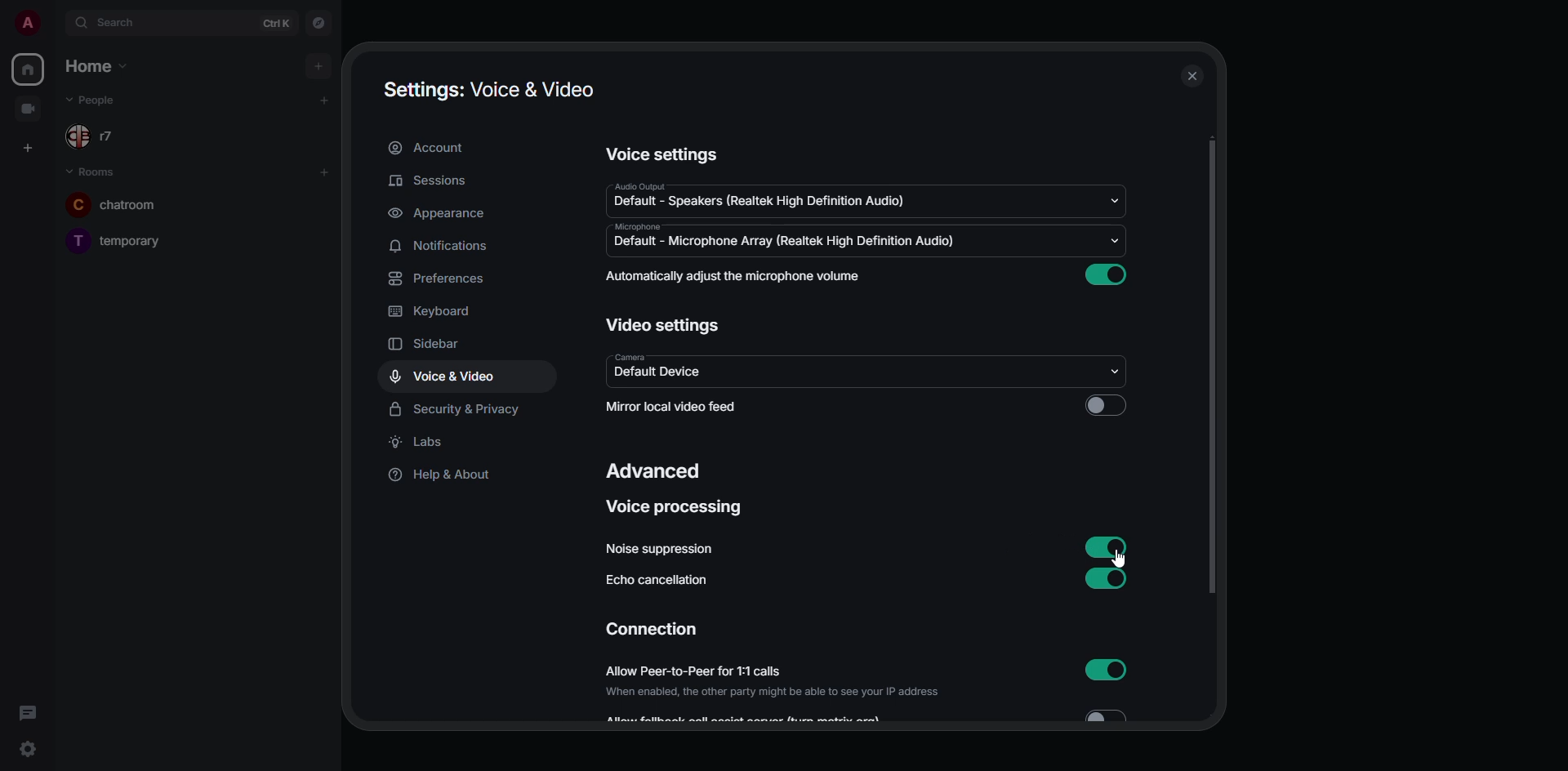  What do you see at coordinates (488, 91) in the screenshot?
I see `settings voice & video` at bounding box center [488, 91].